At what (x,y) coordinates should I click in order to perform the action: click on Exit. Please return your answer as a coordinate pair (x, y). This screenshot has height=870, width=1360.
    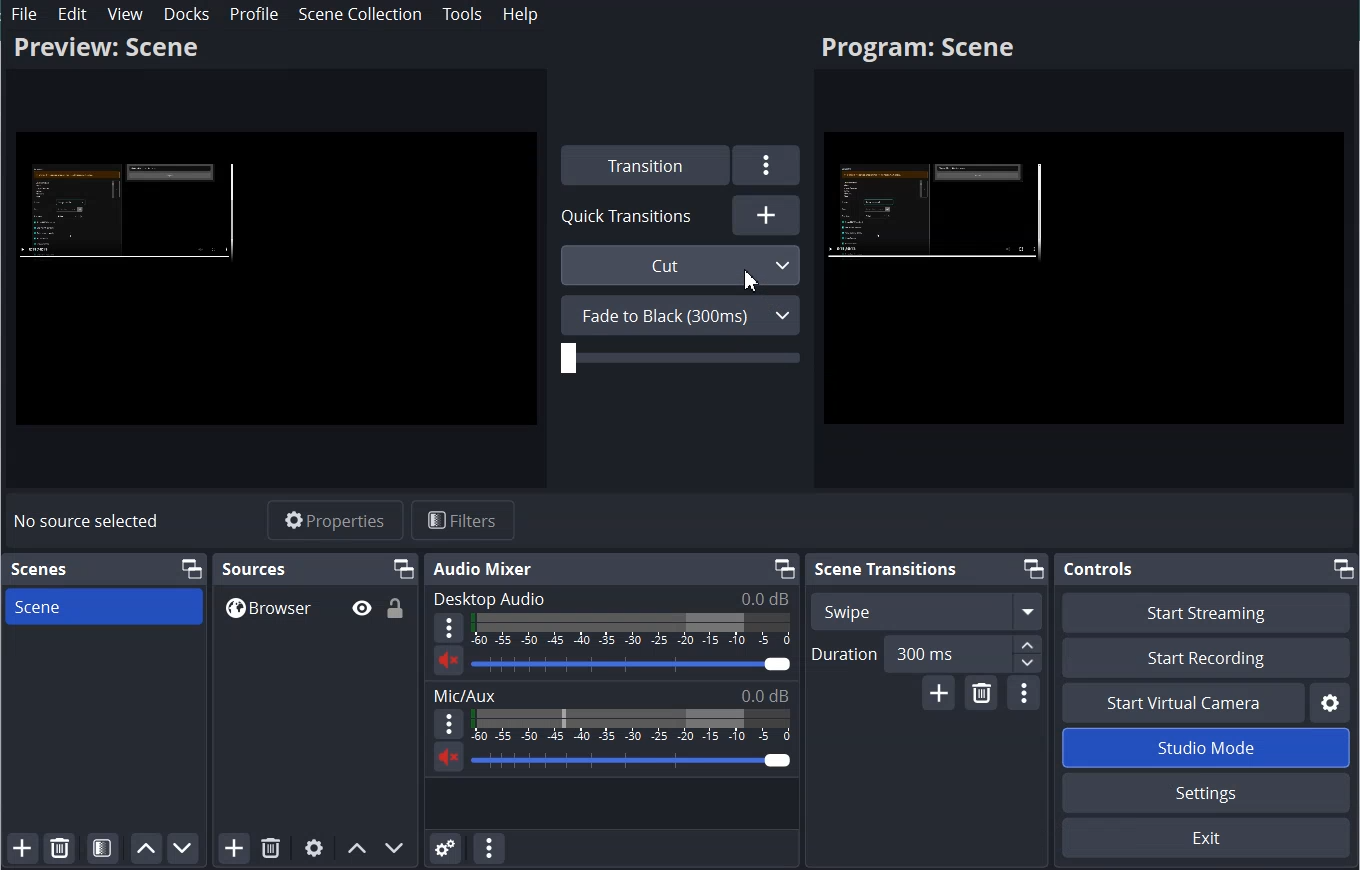
    Looking at the image, I should click on (1204, 839).